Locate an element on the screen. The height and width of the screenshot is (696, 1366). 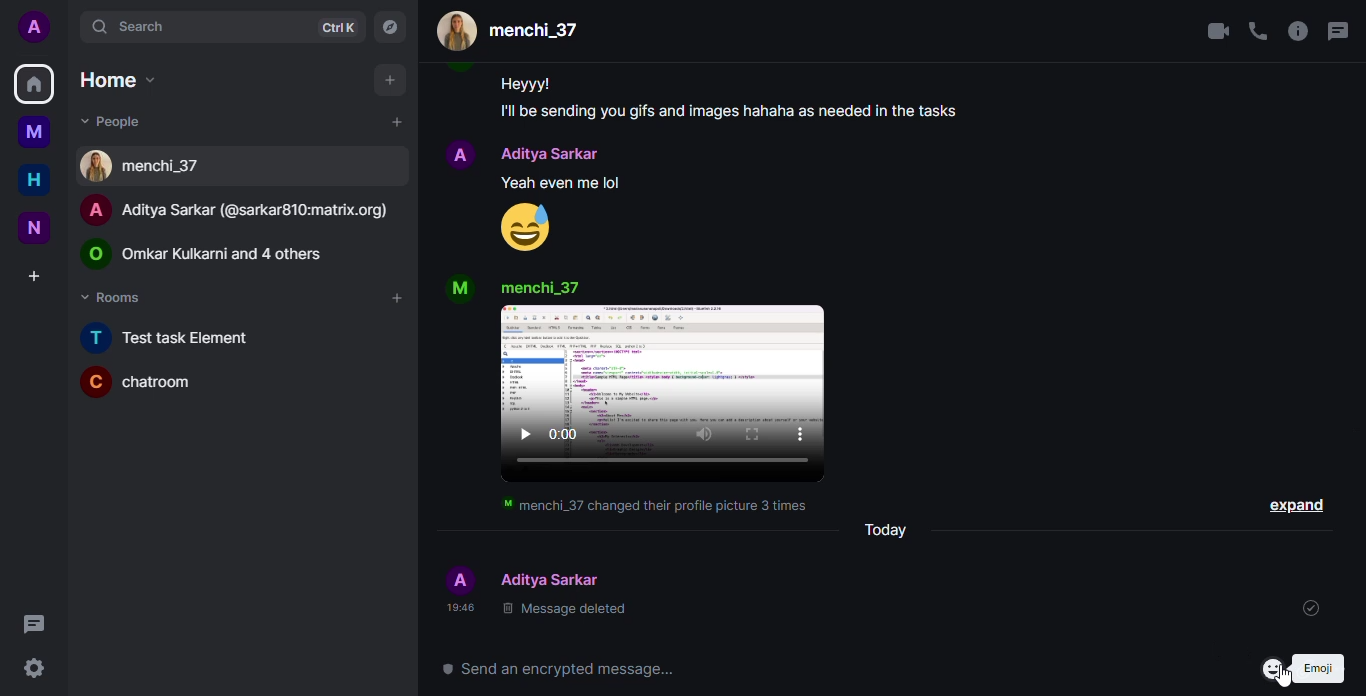
home is located at coordinates (34, 180).